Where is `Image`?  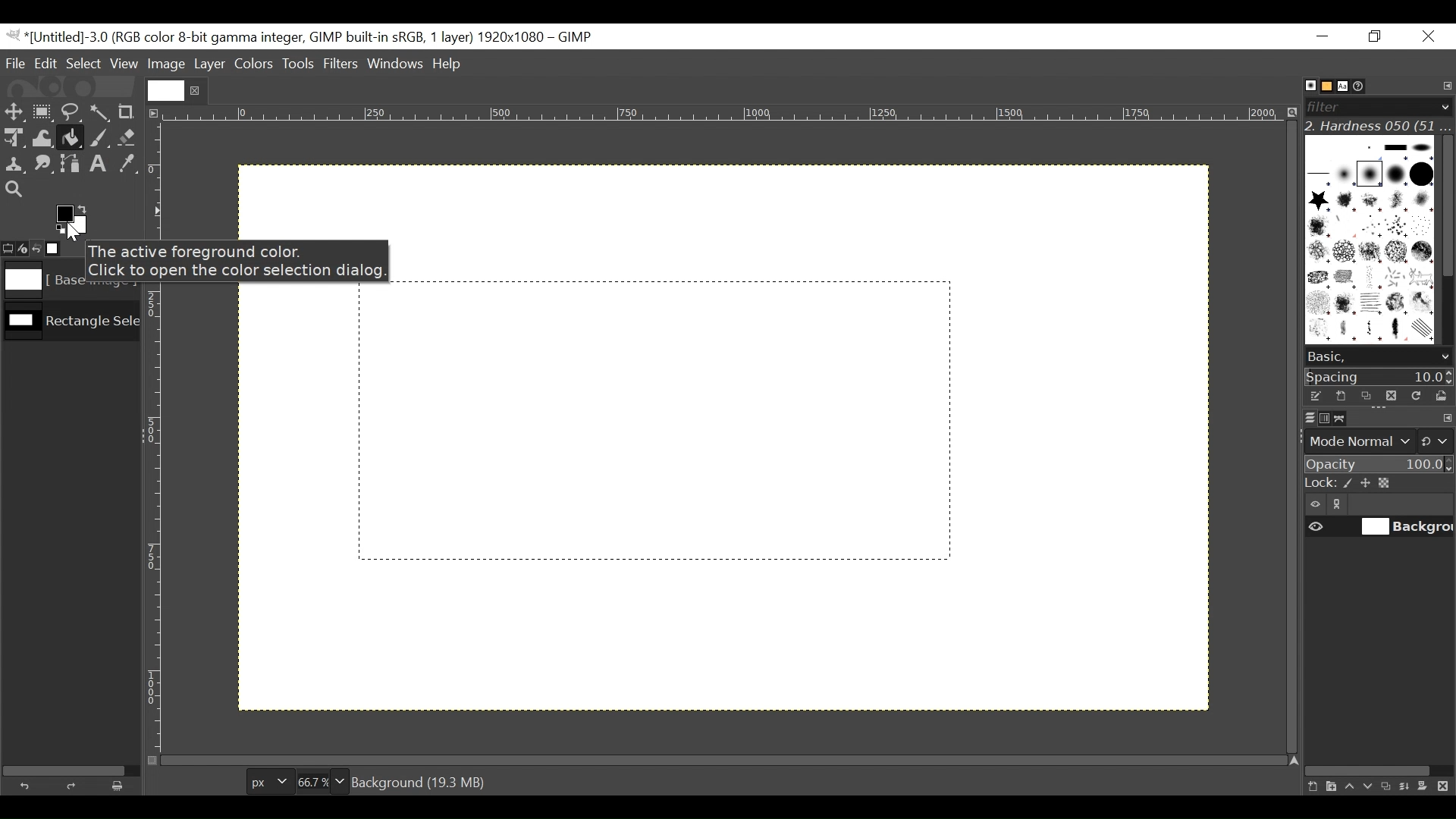 Image is located at coordinates (41, 281).